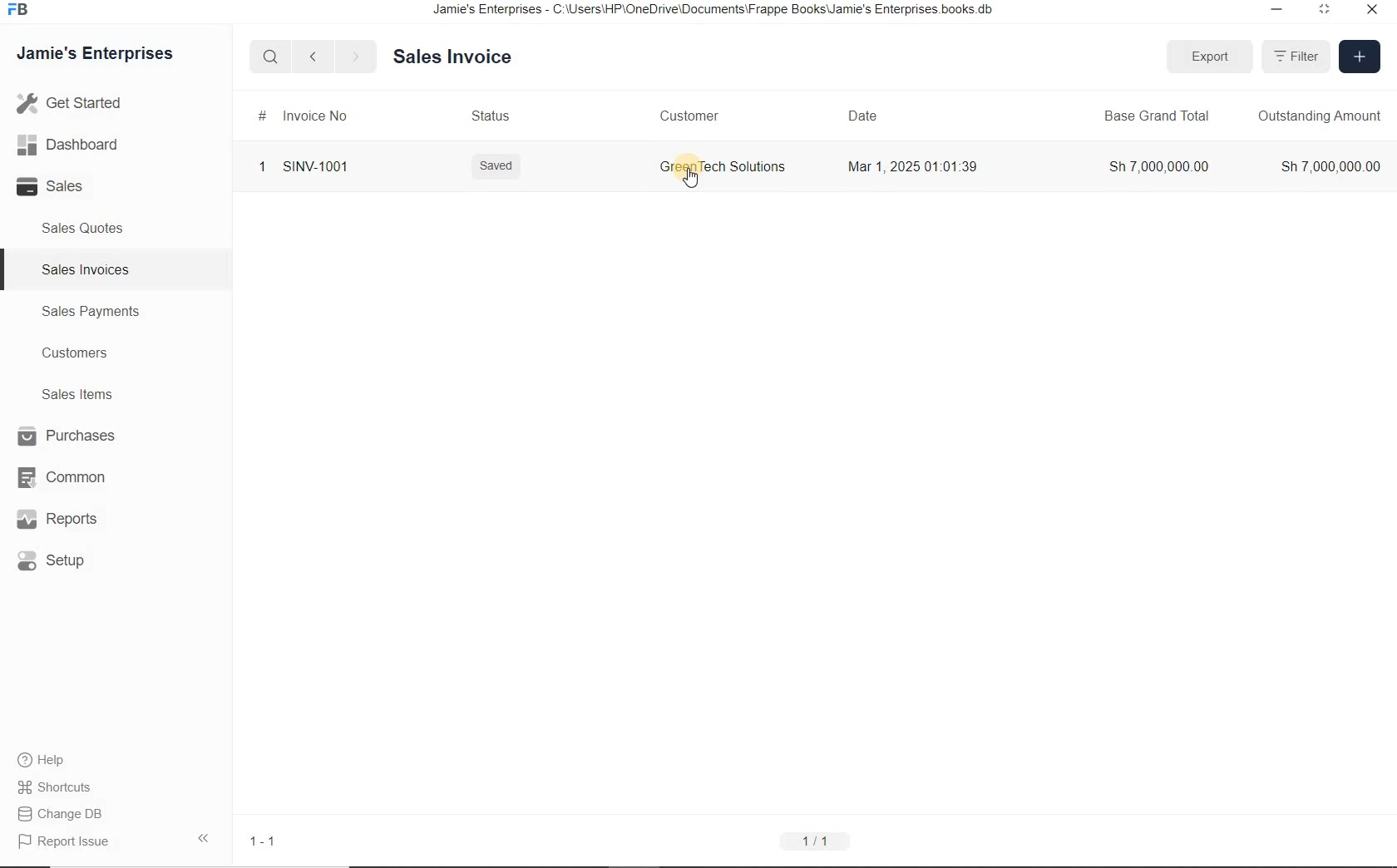 The width and height of the screenshot is (1397, 868). What do you see at coordinates (68, 144) in the screenshot?
I see `Dashboar` at bounding box center [68, 144].